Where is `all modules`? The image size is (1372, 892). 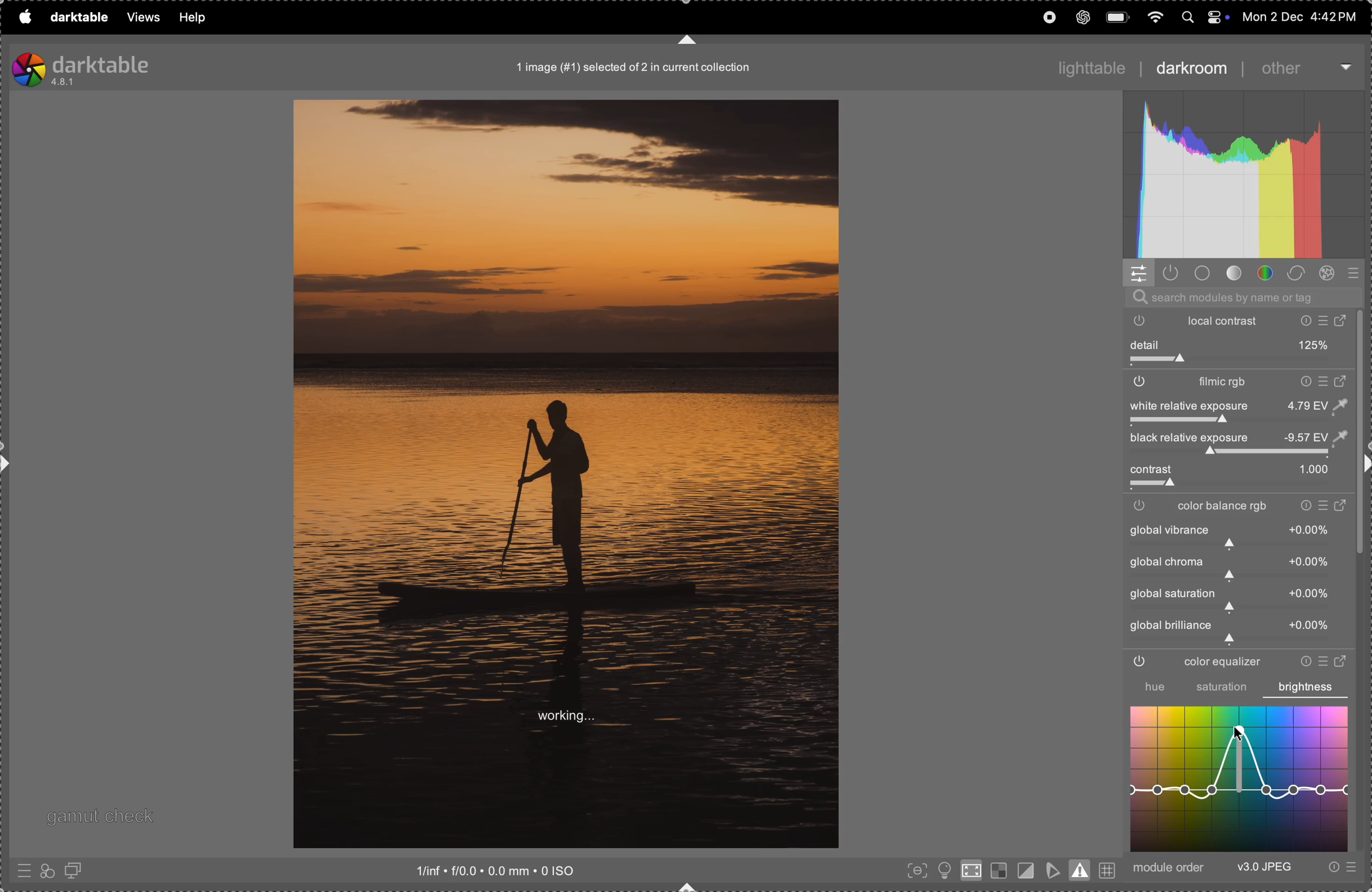
all modules is located at coordinates (1351, 274).